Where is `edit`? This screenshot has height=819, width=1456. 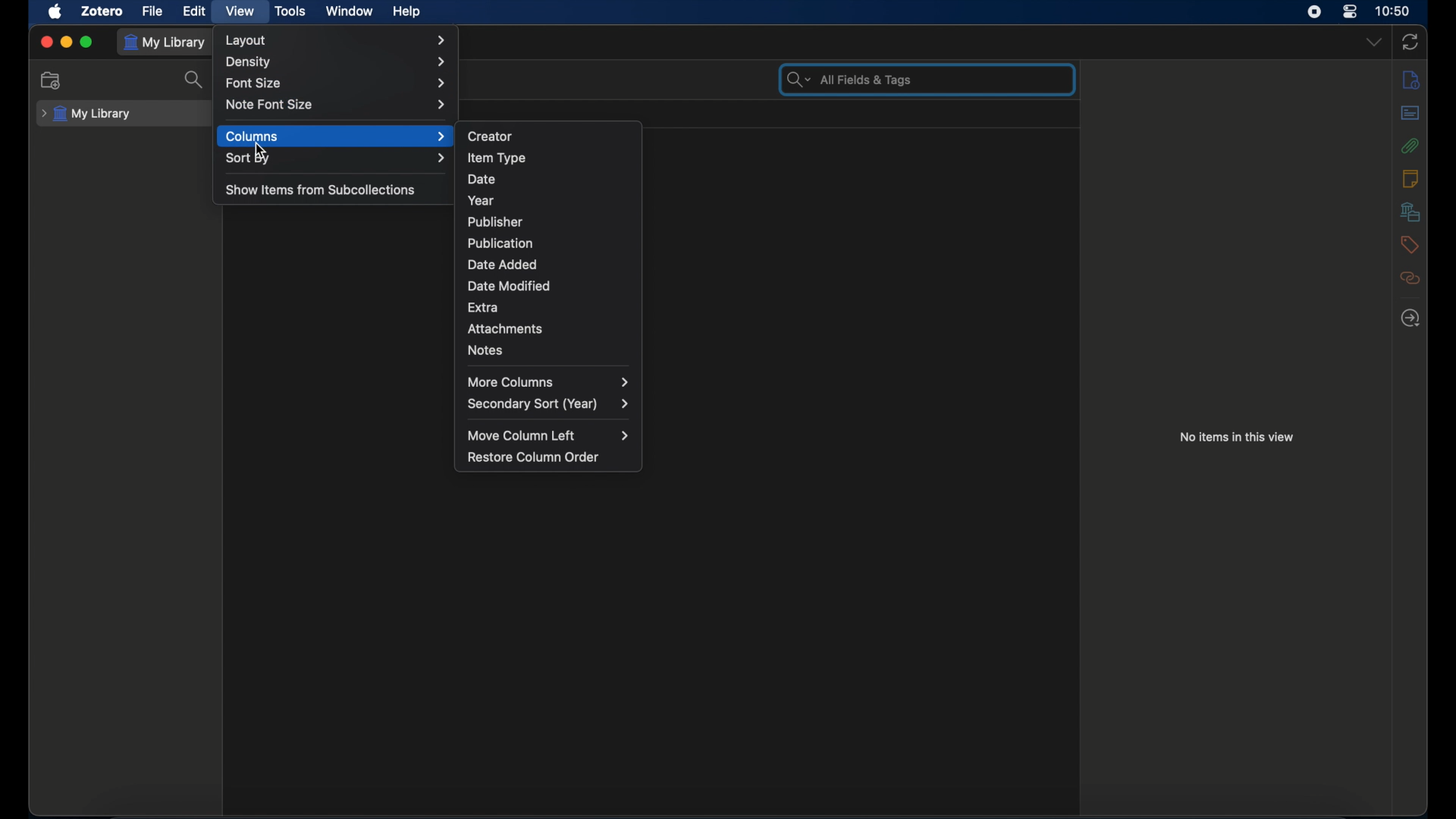 edit is located at coordinates (195, 11).